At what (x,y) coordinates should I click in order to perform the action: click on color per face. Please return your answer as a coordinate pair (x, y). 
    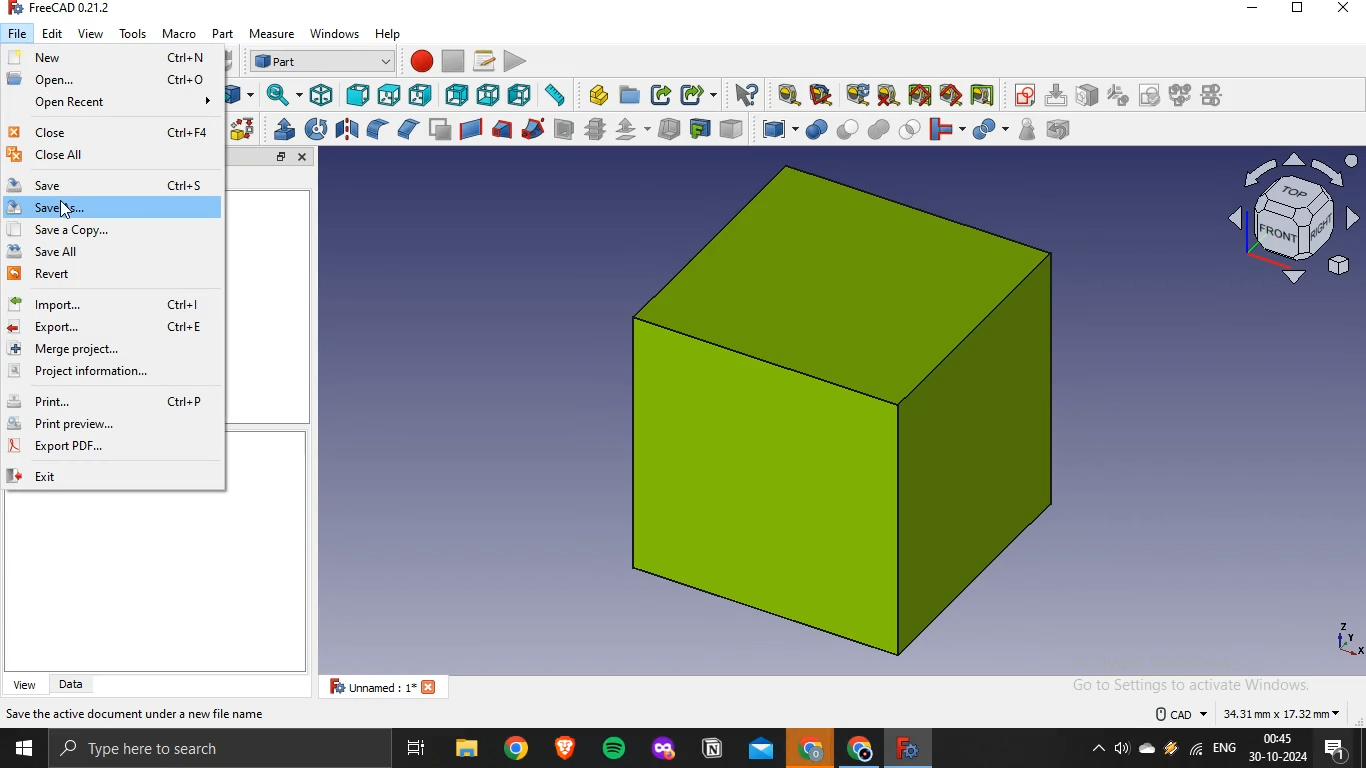
    Looking at the image, I should click on (731, 129).